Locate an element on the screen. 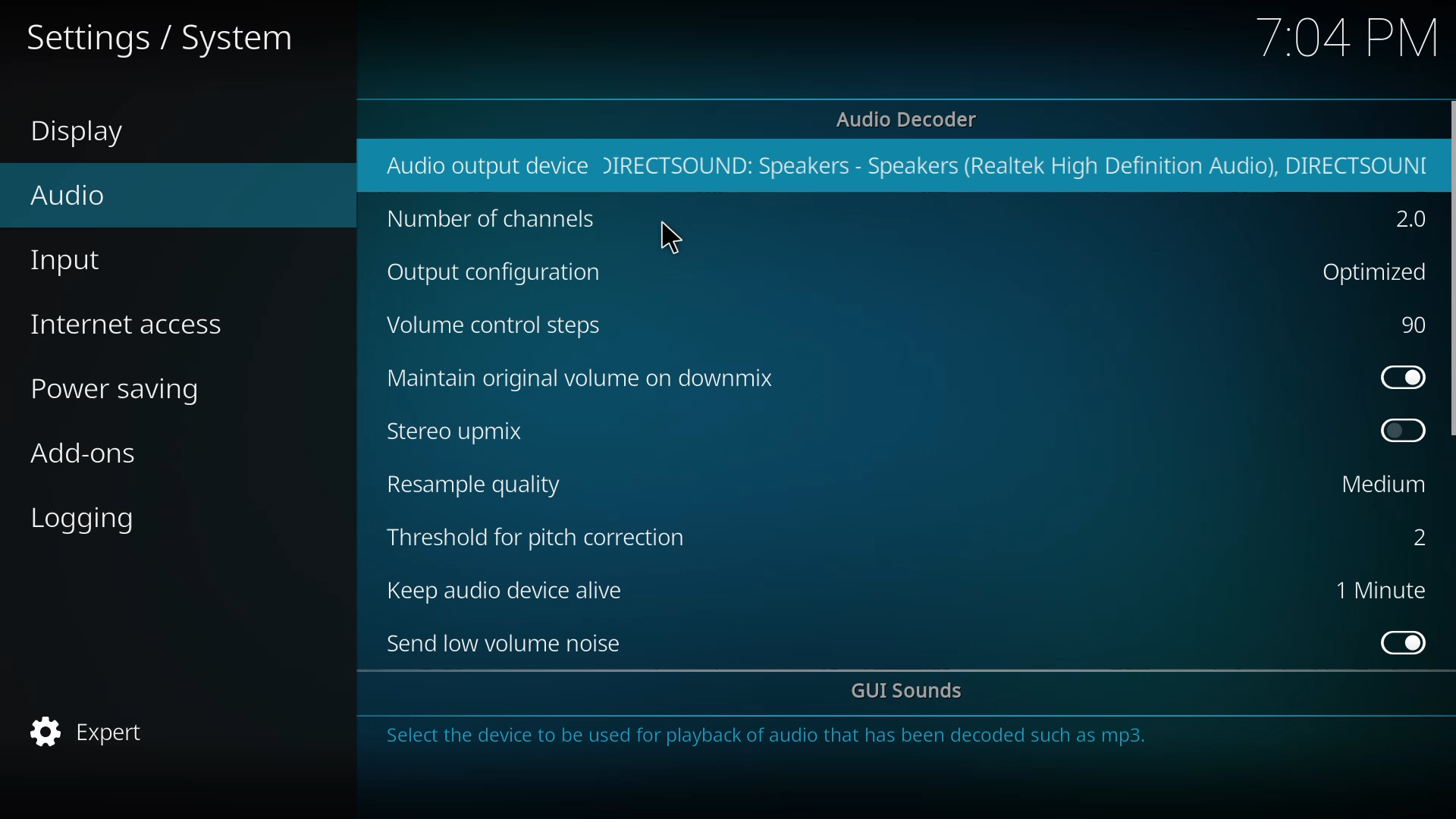 This screenshot has height=819, width=1456. display is located at coordinates (87, 133).